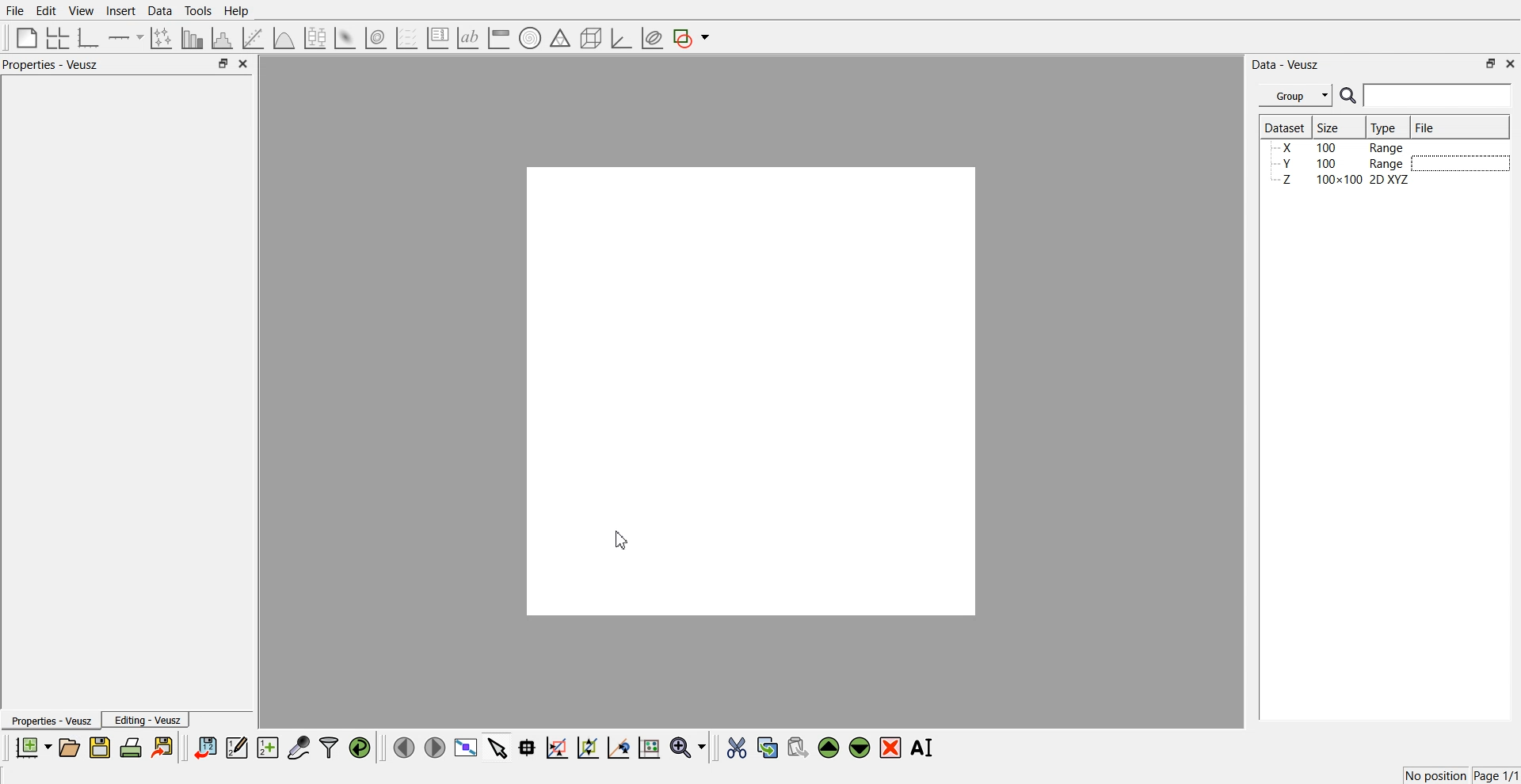  What do you see at coordinates (860, 748) in the screenshot?
I see `Move down the selected widget` at bounding box center [860, 748].